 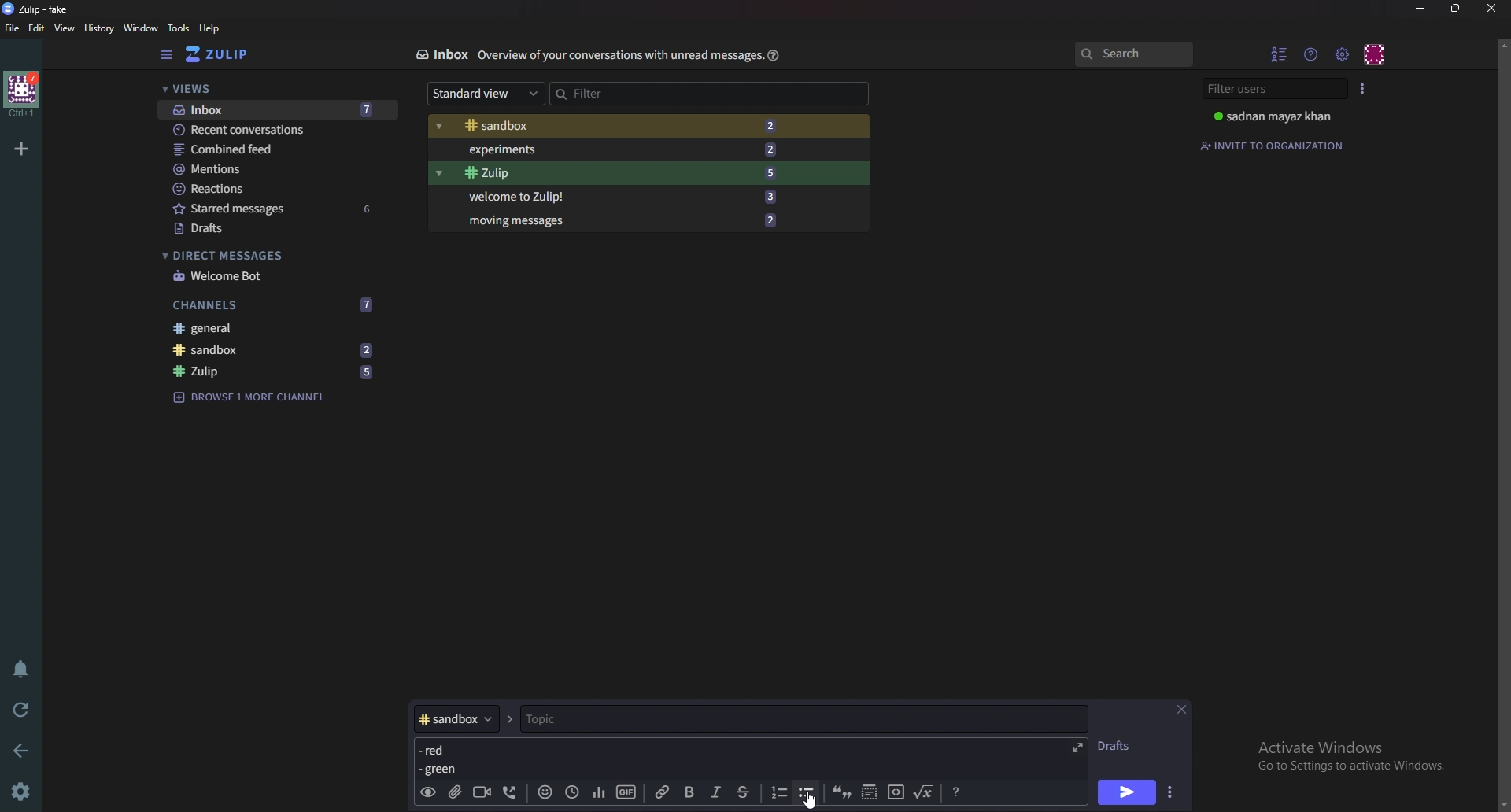 I want to click on Resize, so click(x=1458, y=8).